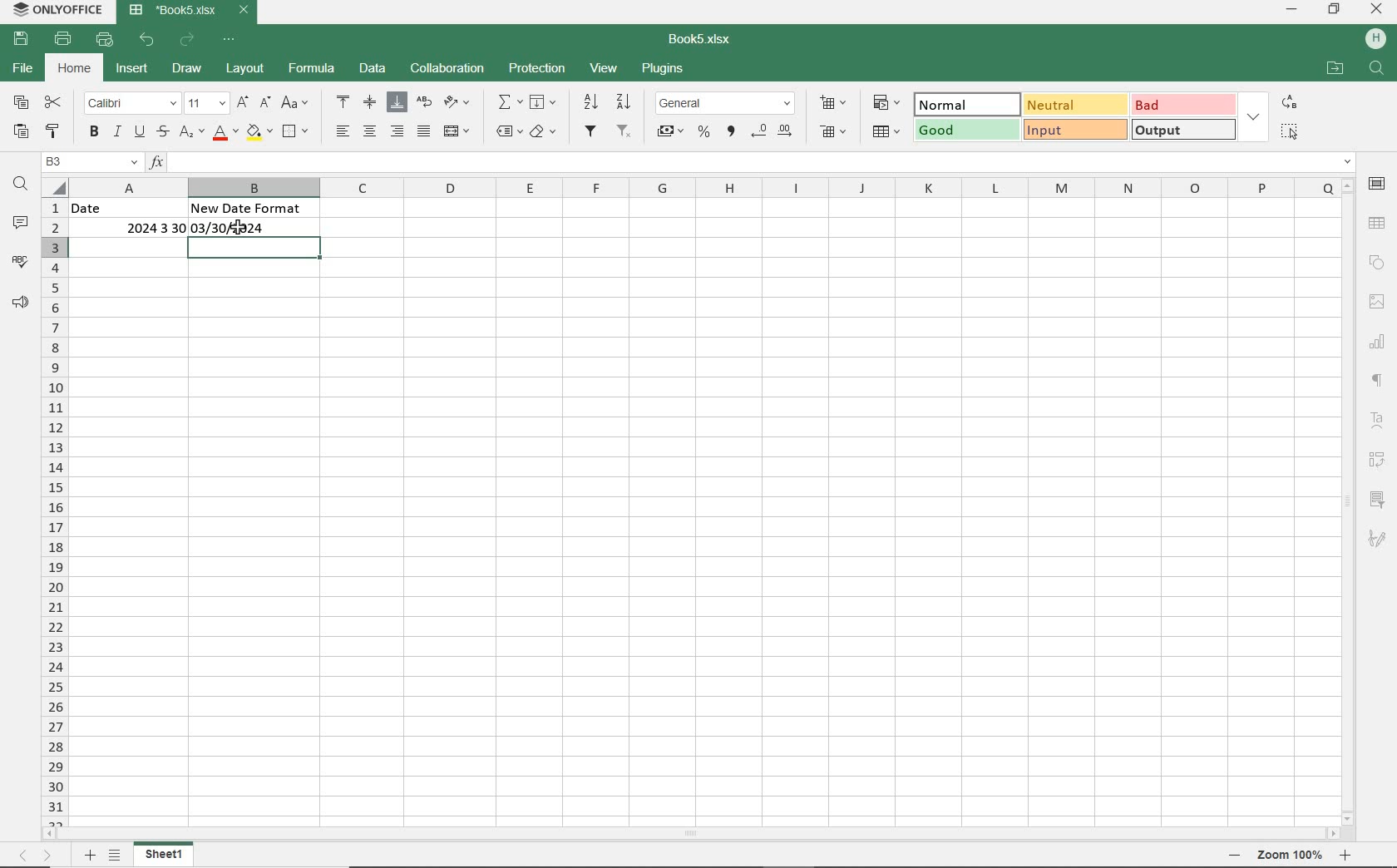 This screenshot has width=1397, height=868. Describe the element at coordinates (544, 103) in the screenshot. I see `FILL` at that location.